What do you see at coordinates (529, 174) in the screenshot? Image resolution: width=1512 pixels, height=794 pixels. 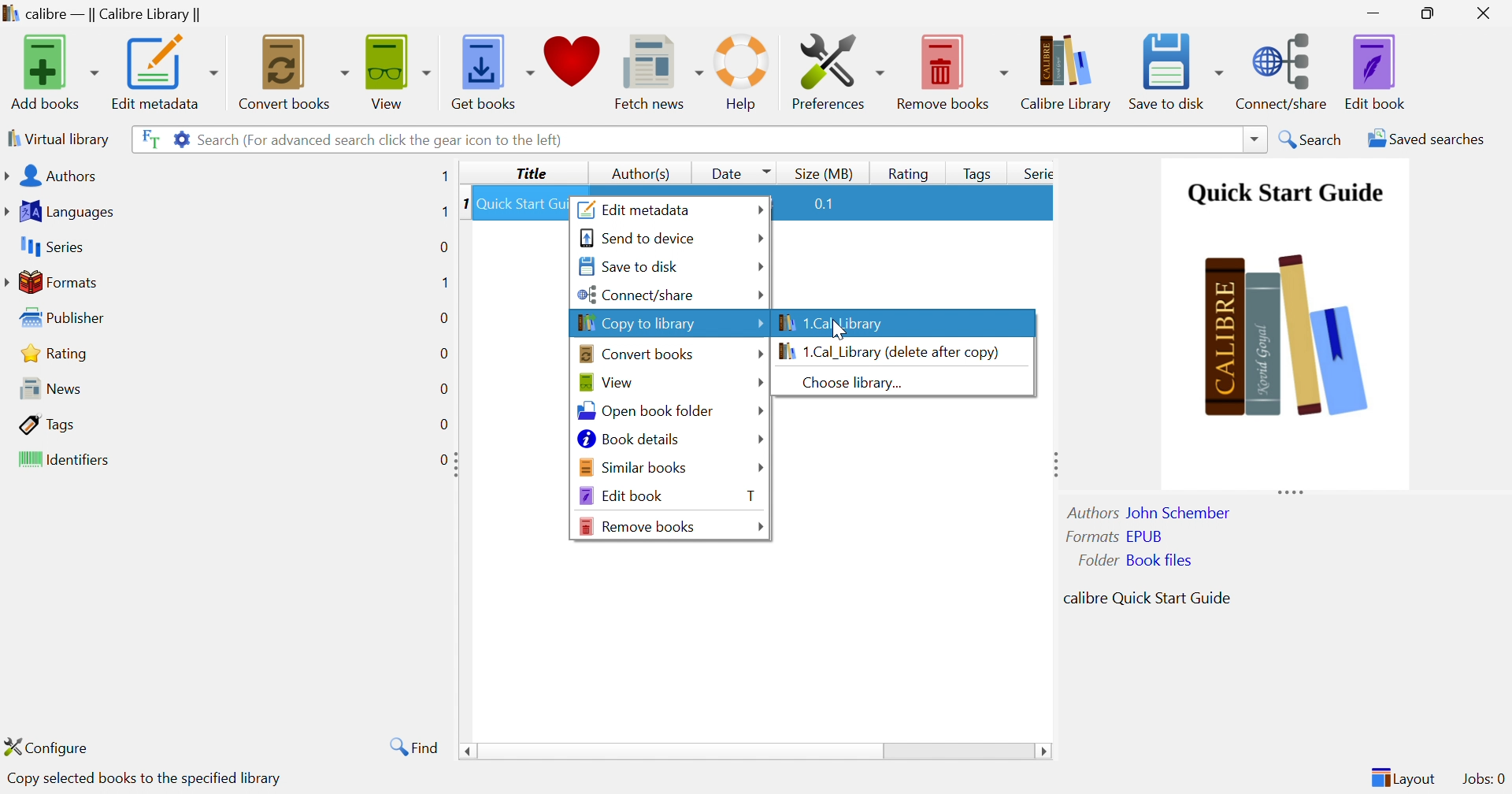 I see `Title` at bounding box center [529, 174].